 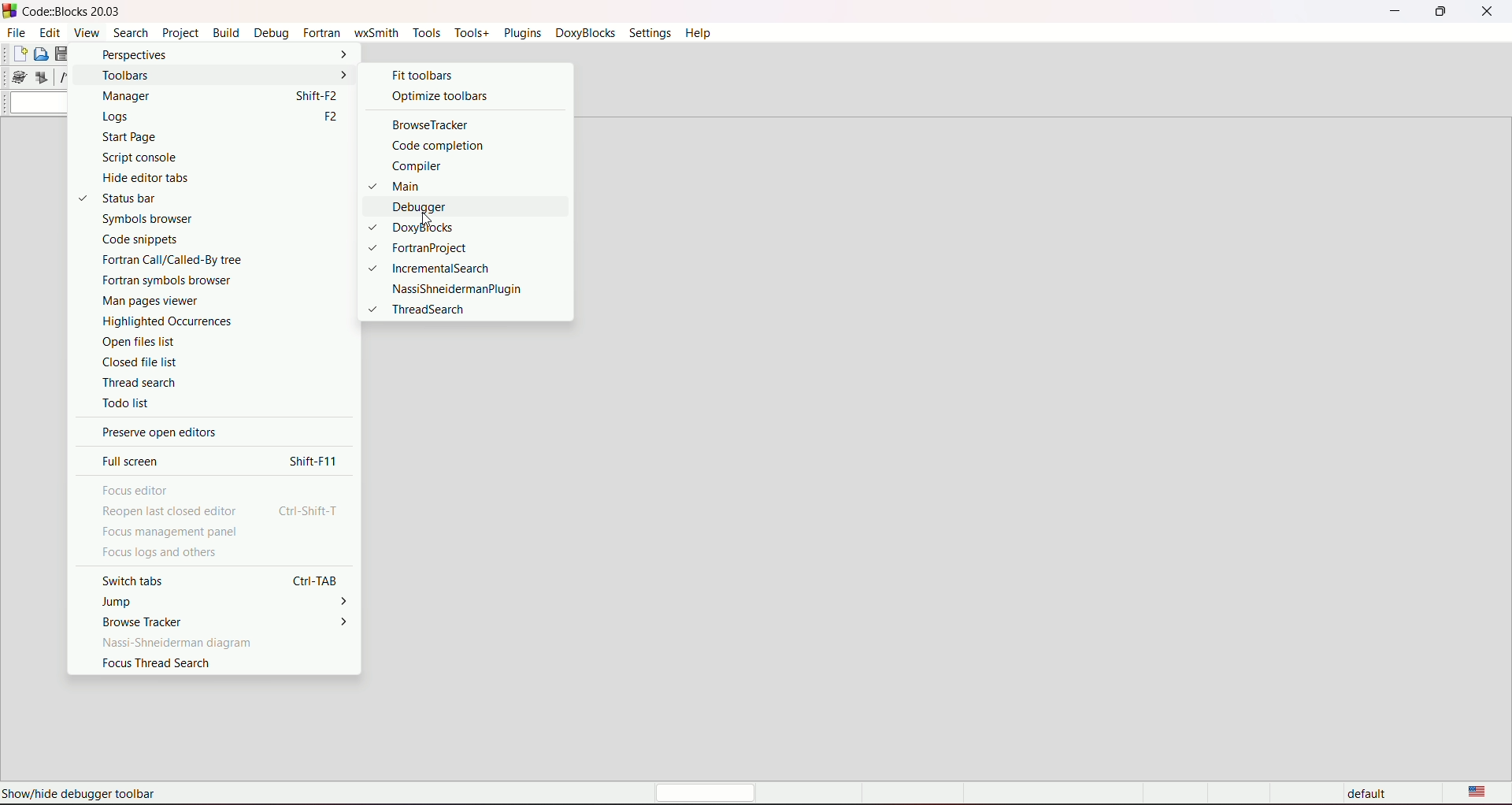 I want to click on fortran project, so click(x=435, y=247).